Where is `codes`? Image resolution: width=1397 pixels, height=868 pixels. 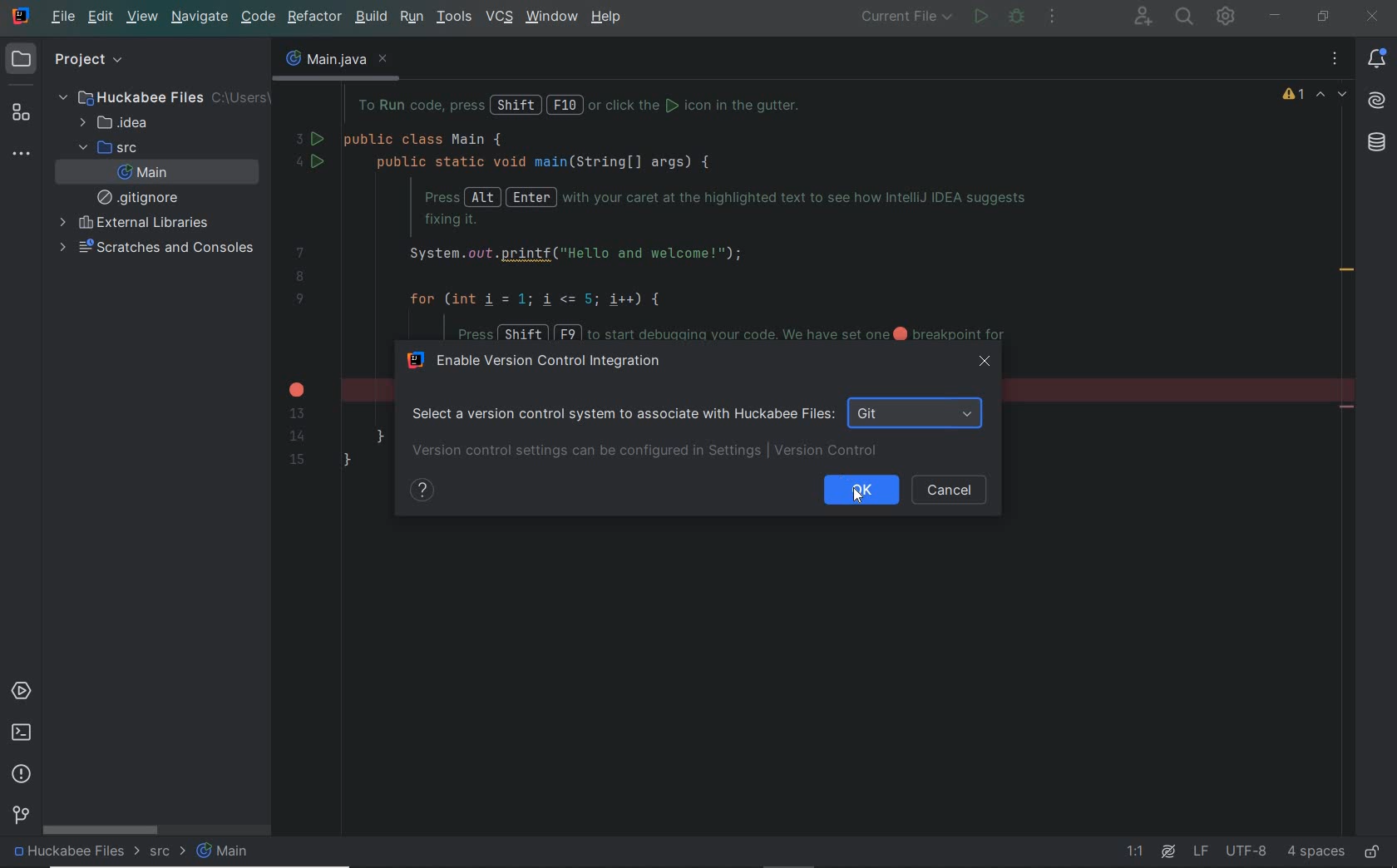 codes is located at coordinates (732, 212).